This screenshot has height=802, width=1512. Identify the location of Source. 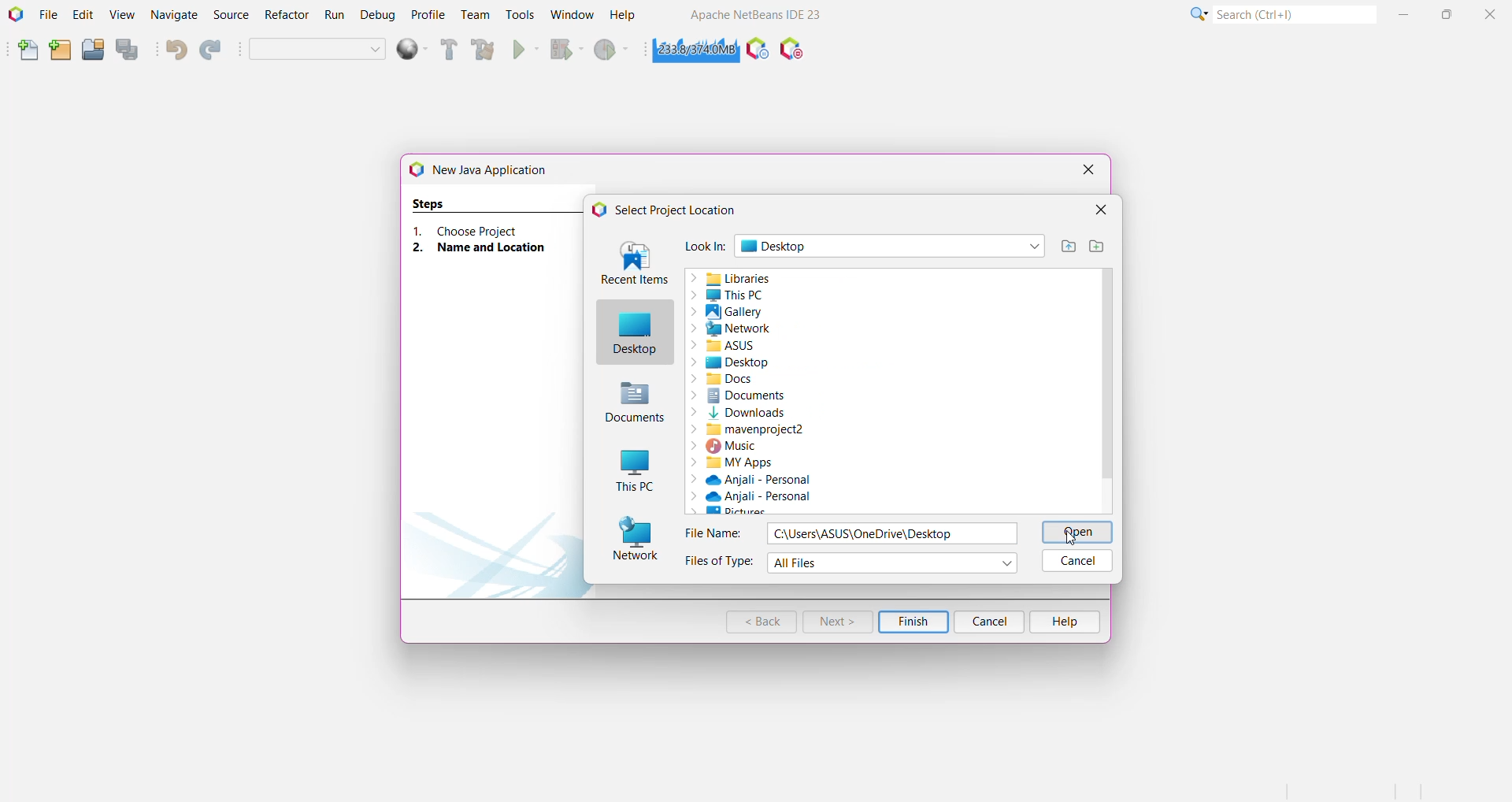
(229, 15).